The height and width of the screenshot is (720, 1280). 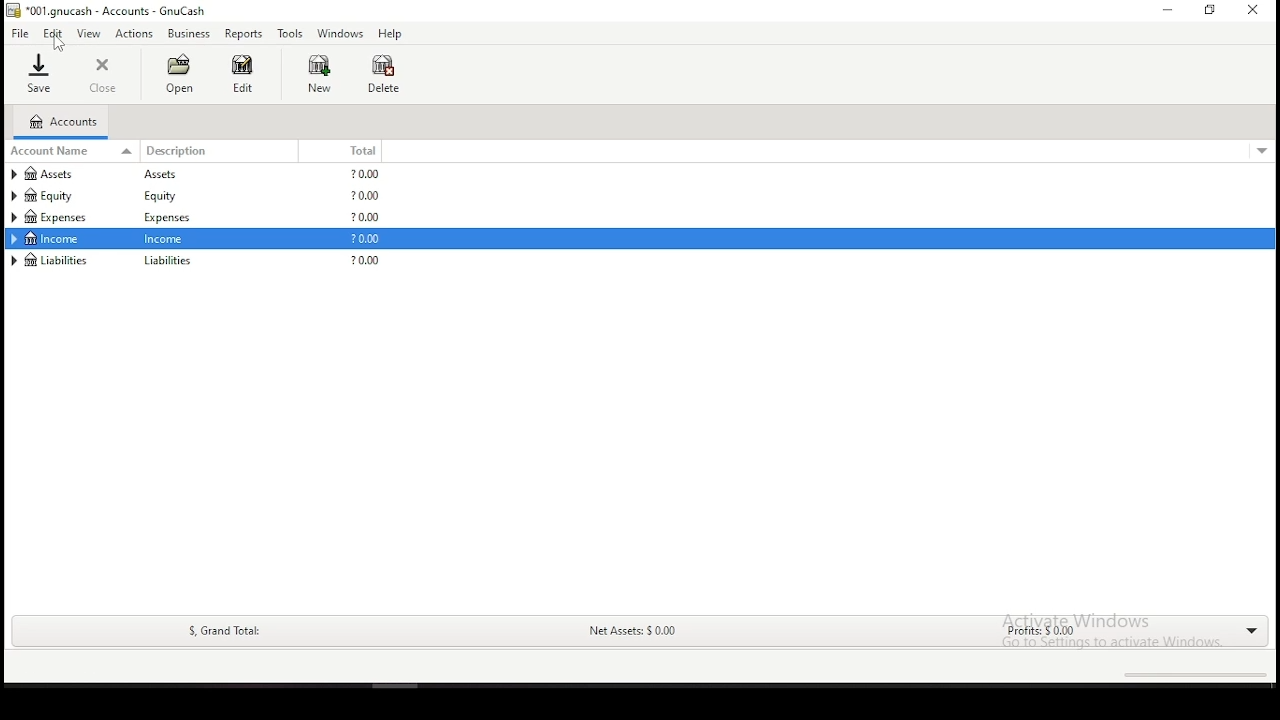 What do you see at coordinates (390, 35) in the screenshot?
I see `help` at bounding box center [390, 35].